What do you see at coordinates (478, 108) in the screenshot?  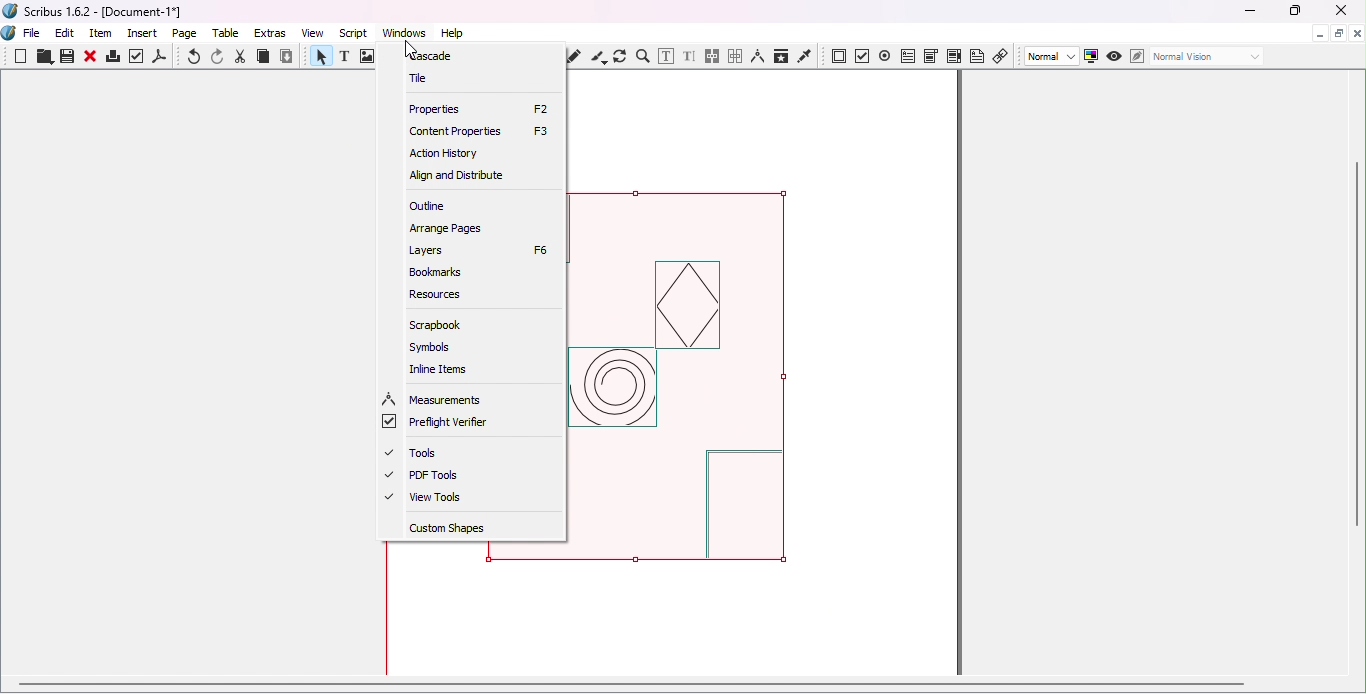 I see `Properties` at bounding box center [478, 108].